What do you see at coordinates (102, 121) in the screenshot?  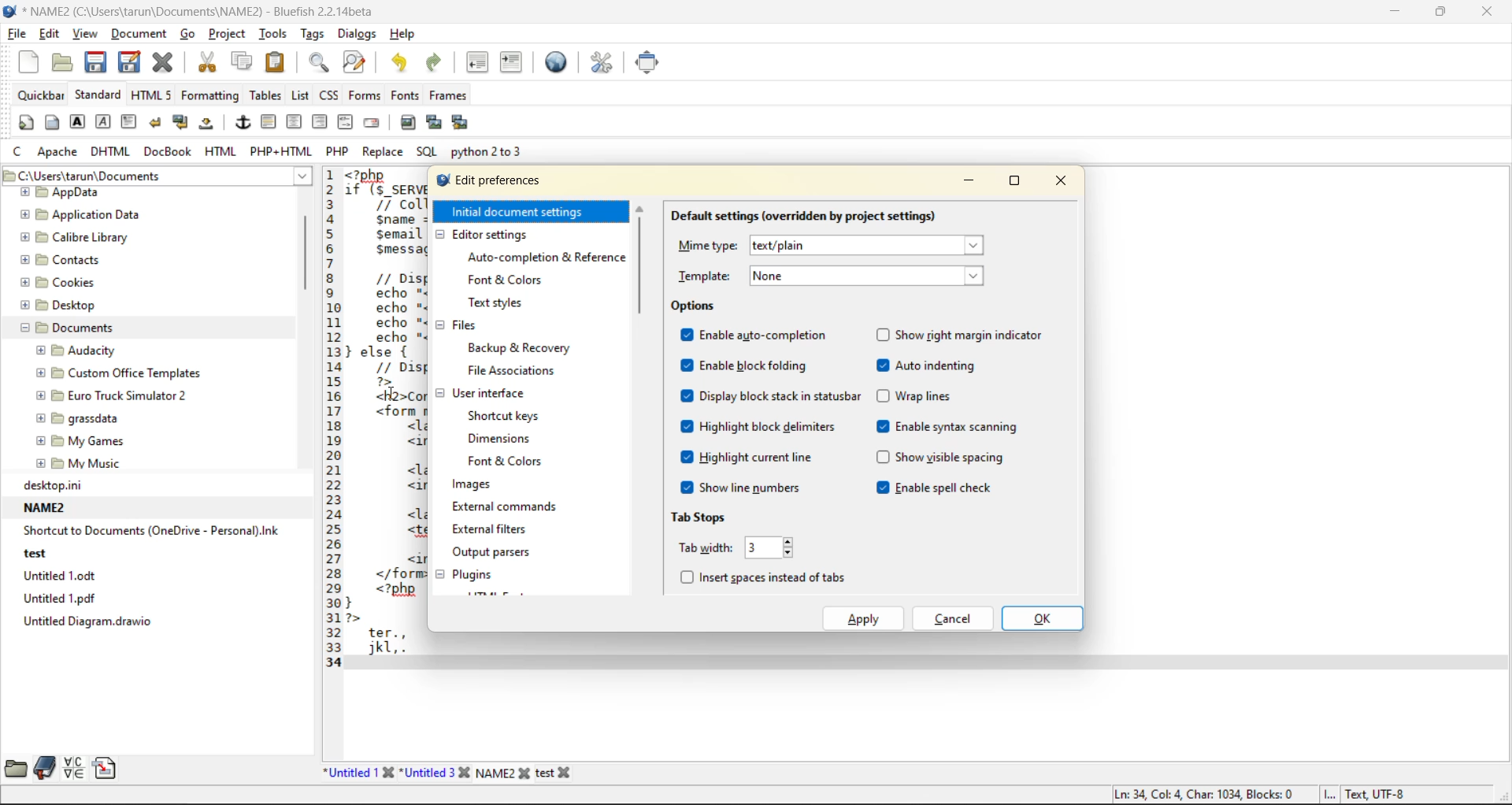 I see `emphasis` at bounding box center [102, 121].